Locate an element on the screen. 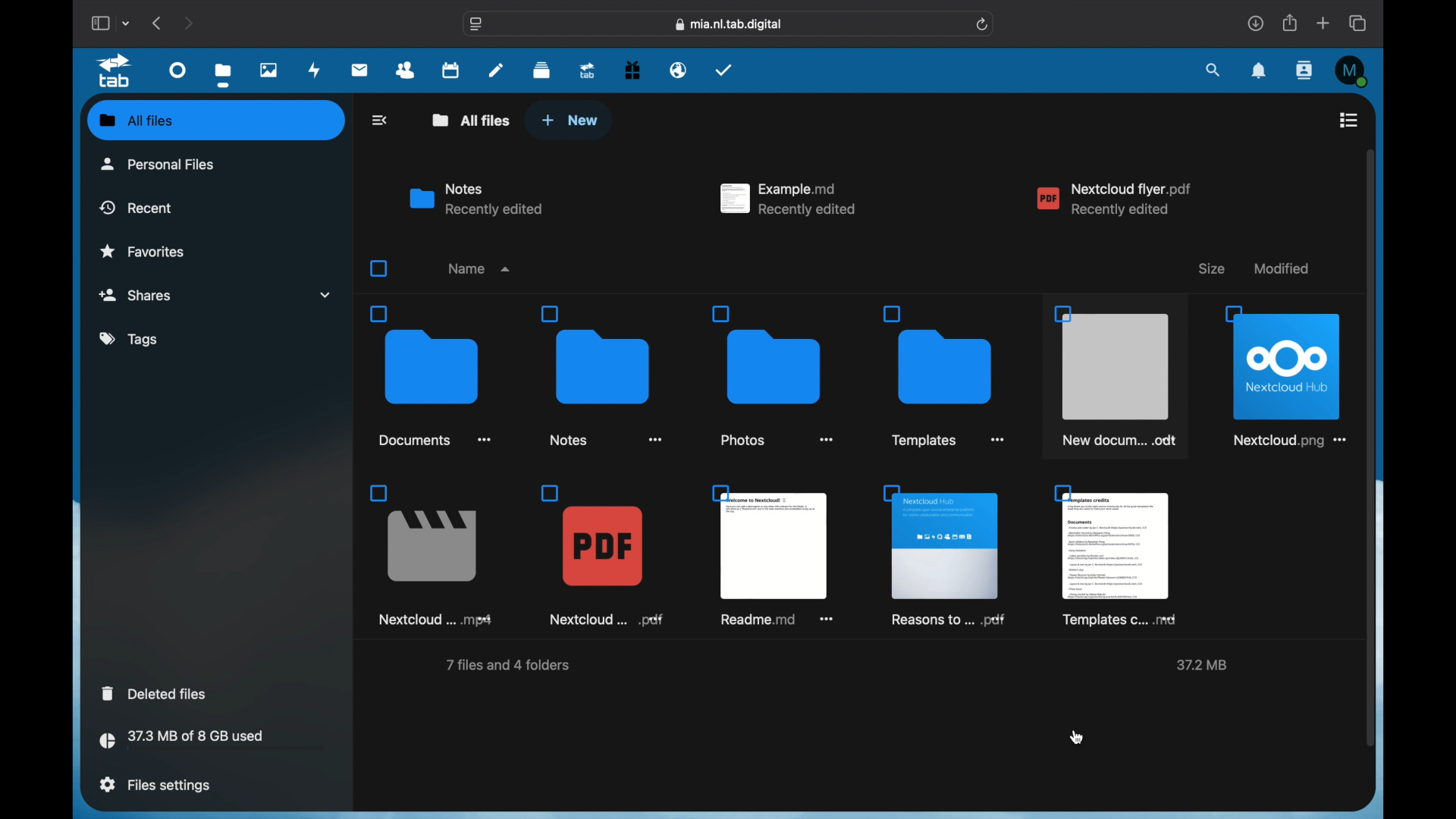 This screenshot has height=819, width=1456. all files is located at coordinates (218, 121).